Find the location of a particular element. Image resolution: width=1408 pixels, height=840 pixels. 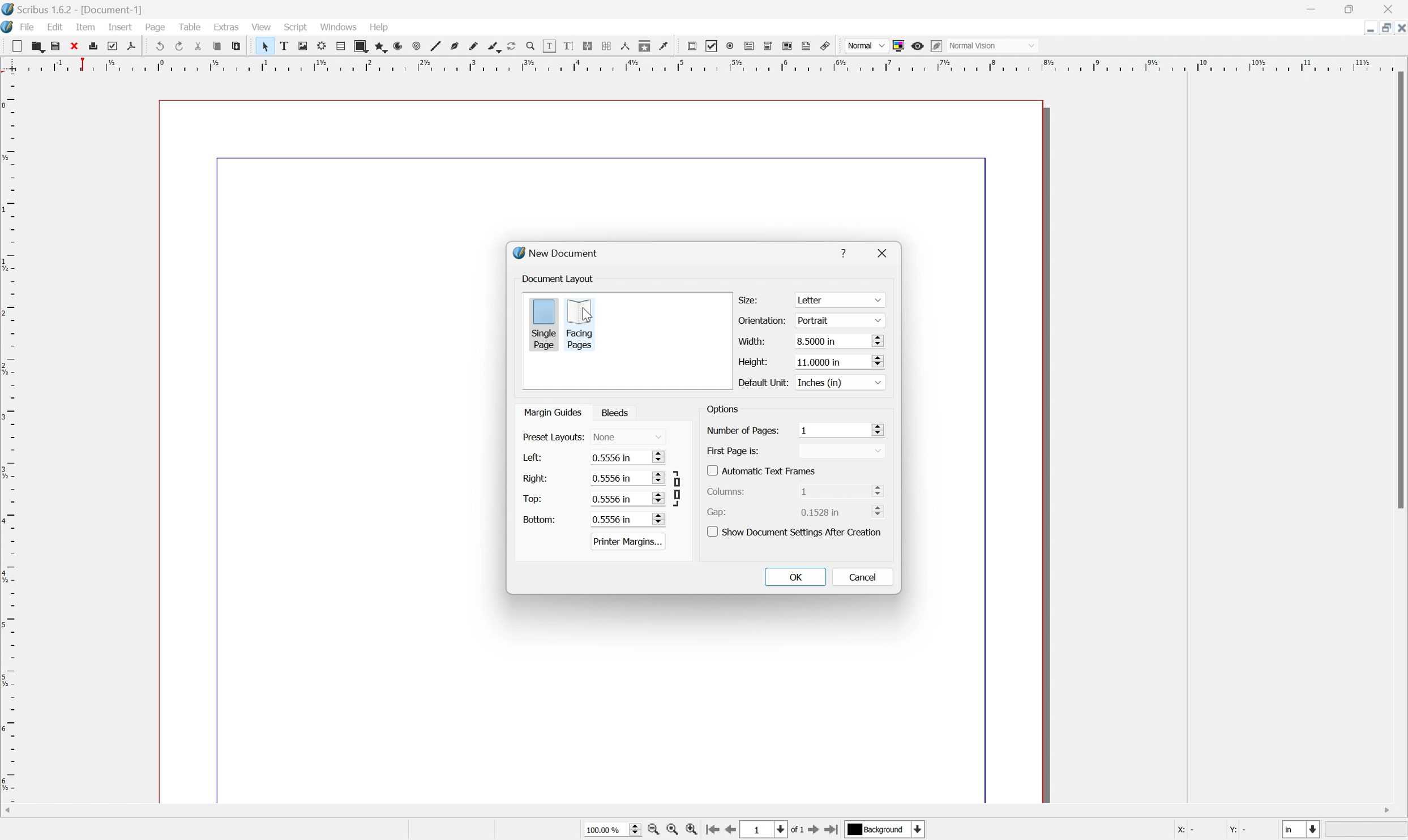

Minimize is located at coordinates (1360, 27).